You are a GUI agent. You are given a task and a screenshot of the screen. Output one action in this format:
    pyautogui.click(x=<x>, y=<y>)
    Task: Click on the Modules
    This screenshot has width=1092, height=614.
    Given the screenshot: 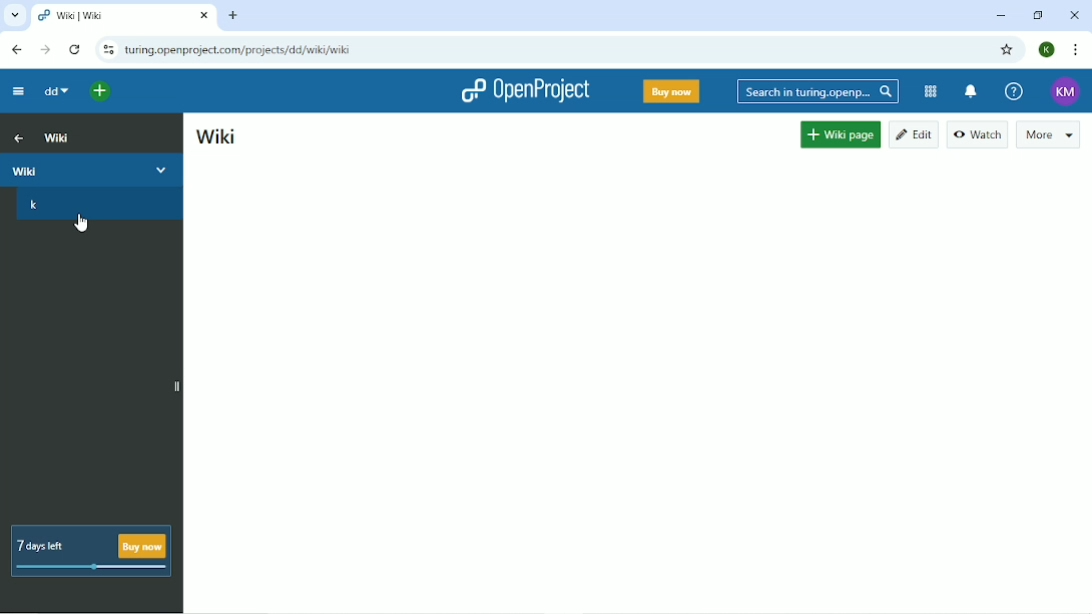 What is the action you would take?
    pyautogui.click(x=931, y=92)
    